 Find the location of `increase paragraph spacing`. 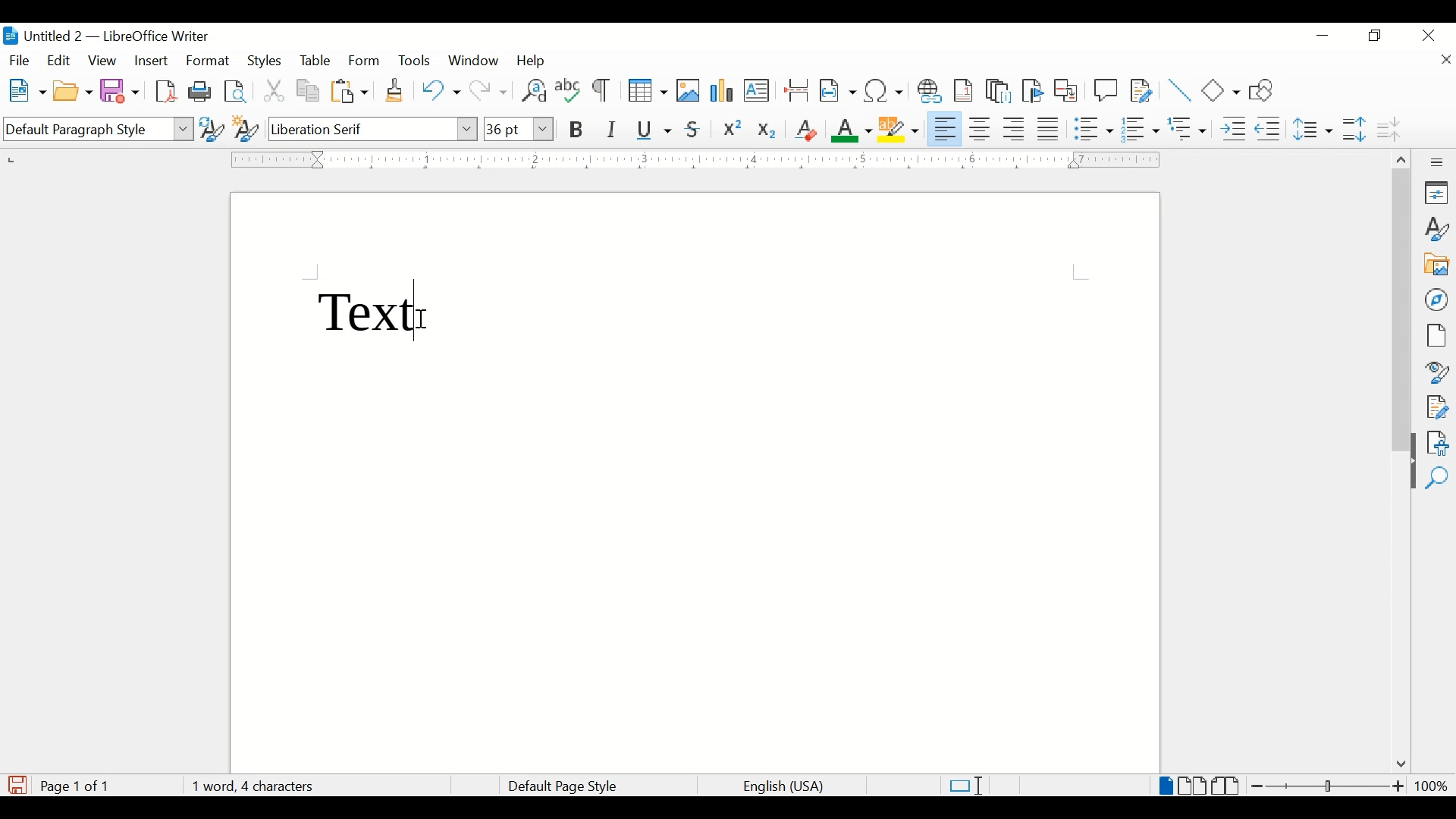

increase paragraph spacing is located at coordinates (1354, 129).